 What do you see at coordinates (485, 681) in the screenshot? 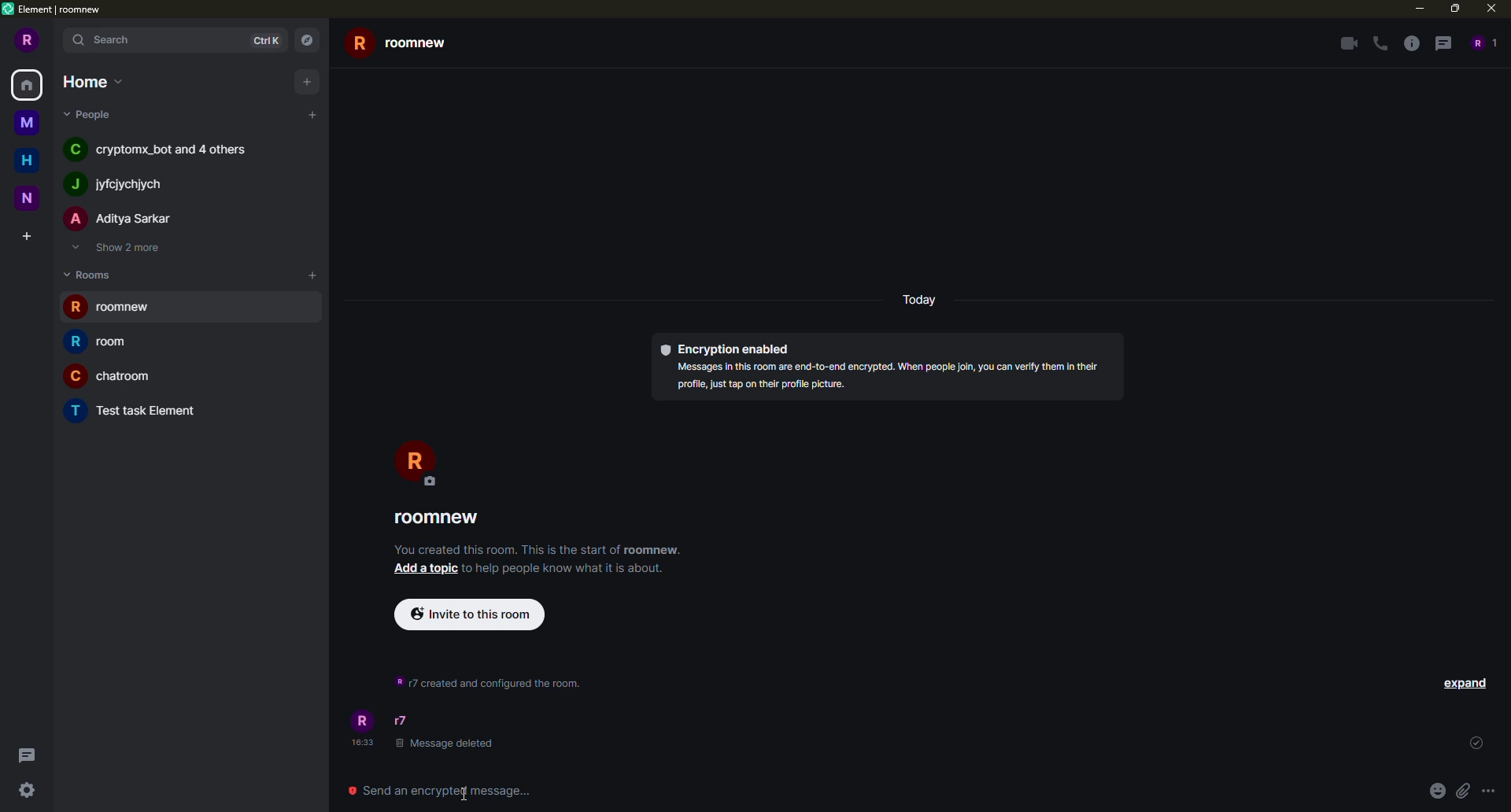
I see `info` at bounding box center [485, 681].